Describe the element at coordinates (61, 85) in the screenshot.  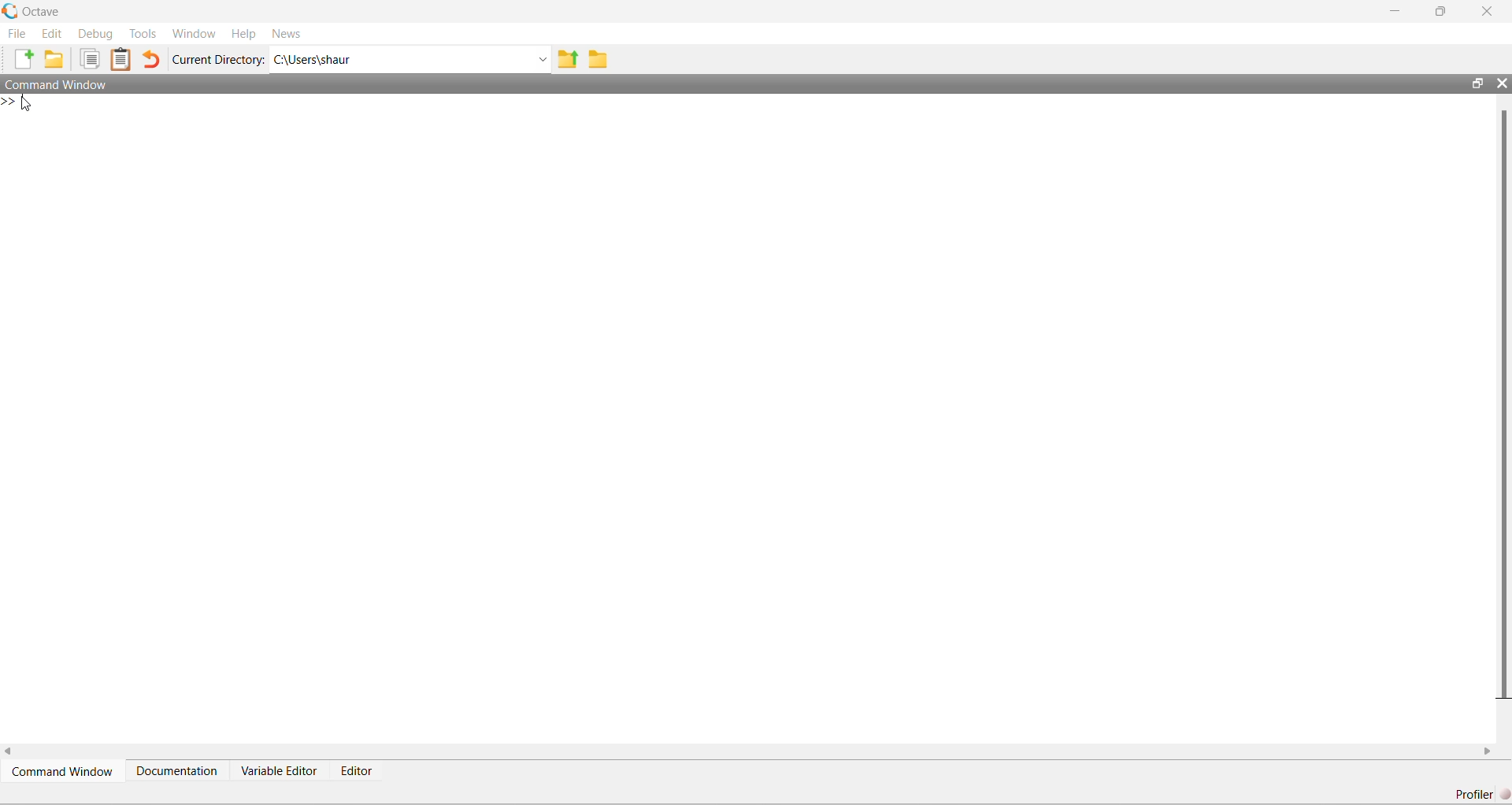
I see `Command Window` at that location.